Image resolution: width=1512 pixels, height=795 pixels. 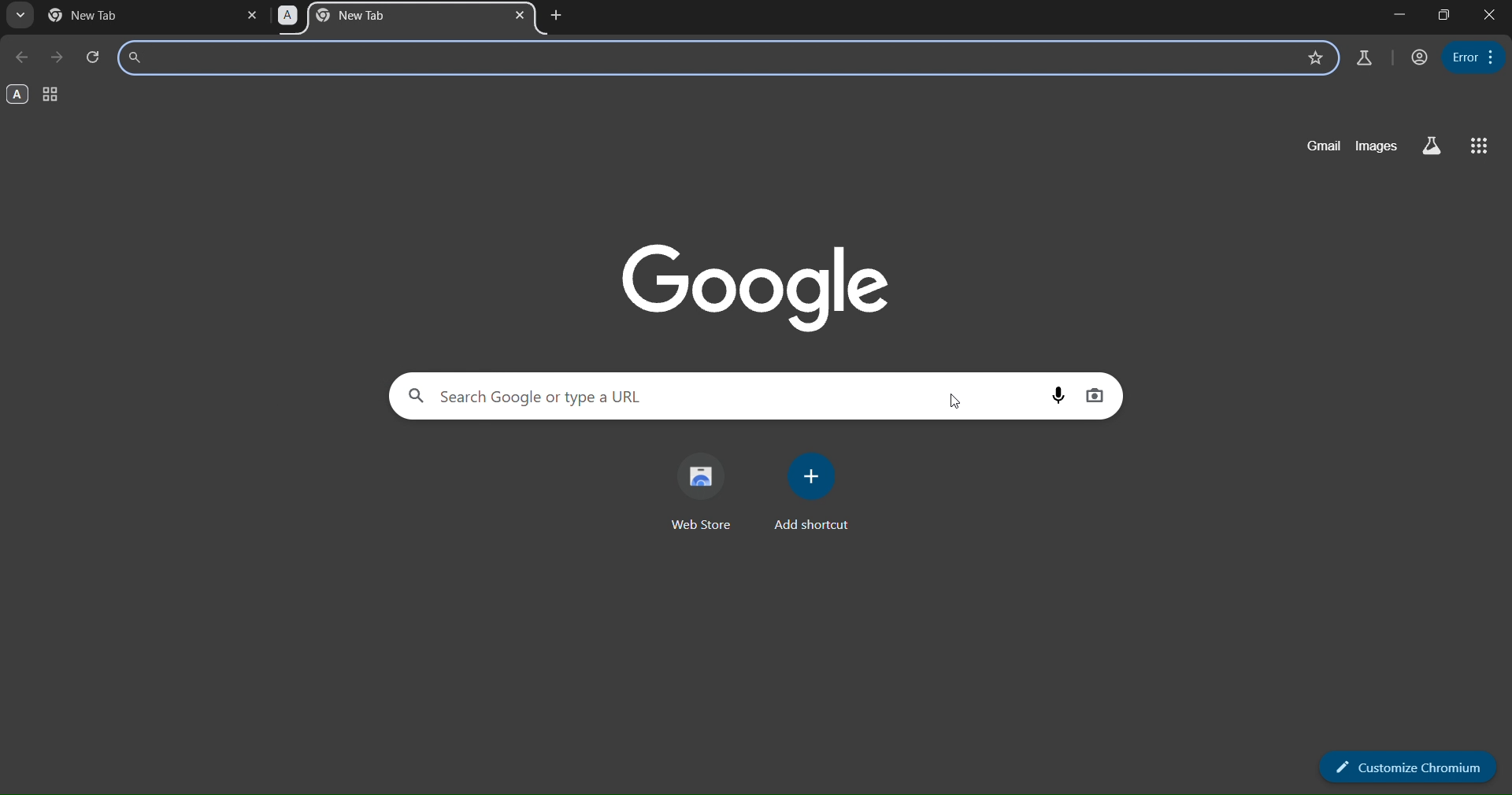 What do you see at coordinates (1364, 59) in the screenshot?
I see `search labs` at bounding box center [1364, 59].